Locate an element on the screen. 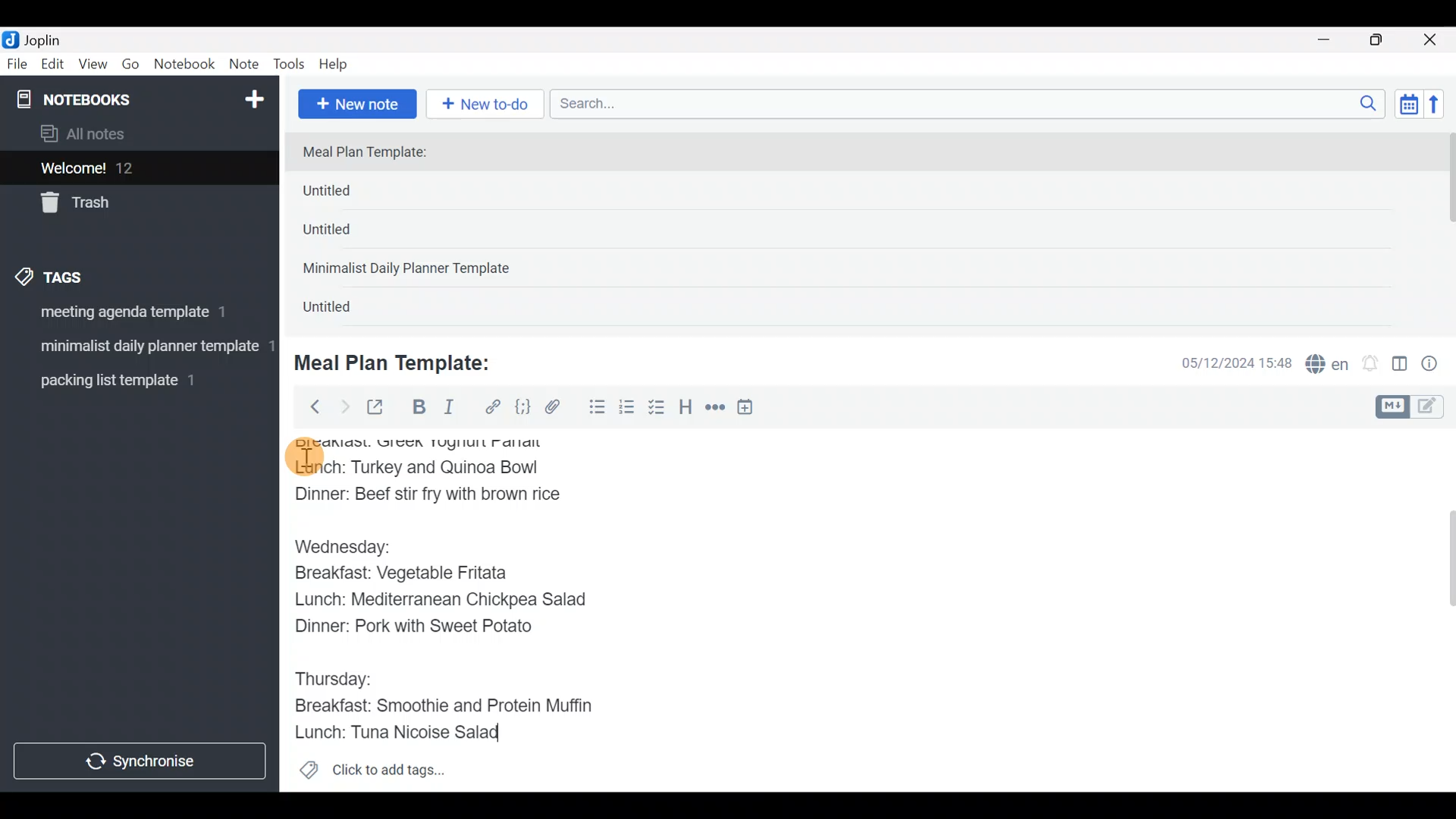 Image resolution: width=1456 pixels, height=819 pixels. Click to add tags is located at coordinates (372, 775).